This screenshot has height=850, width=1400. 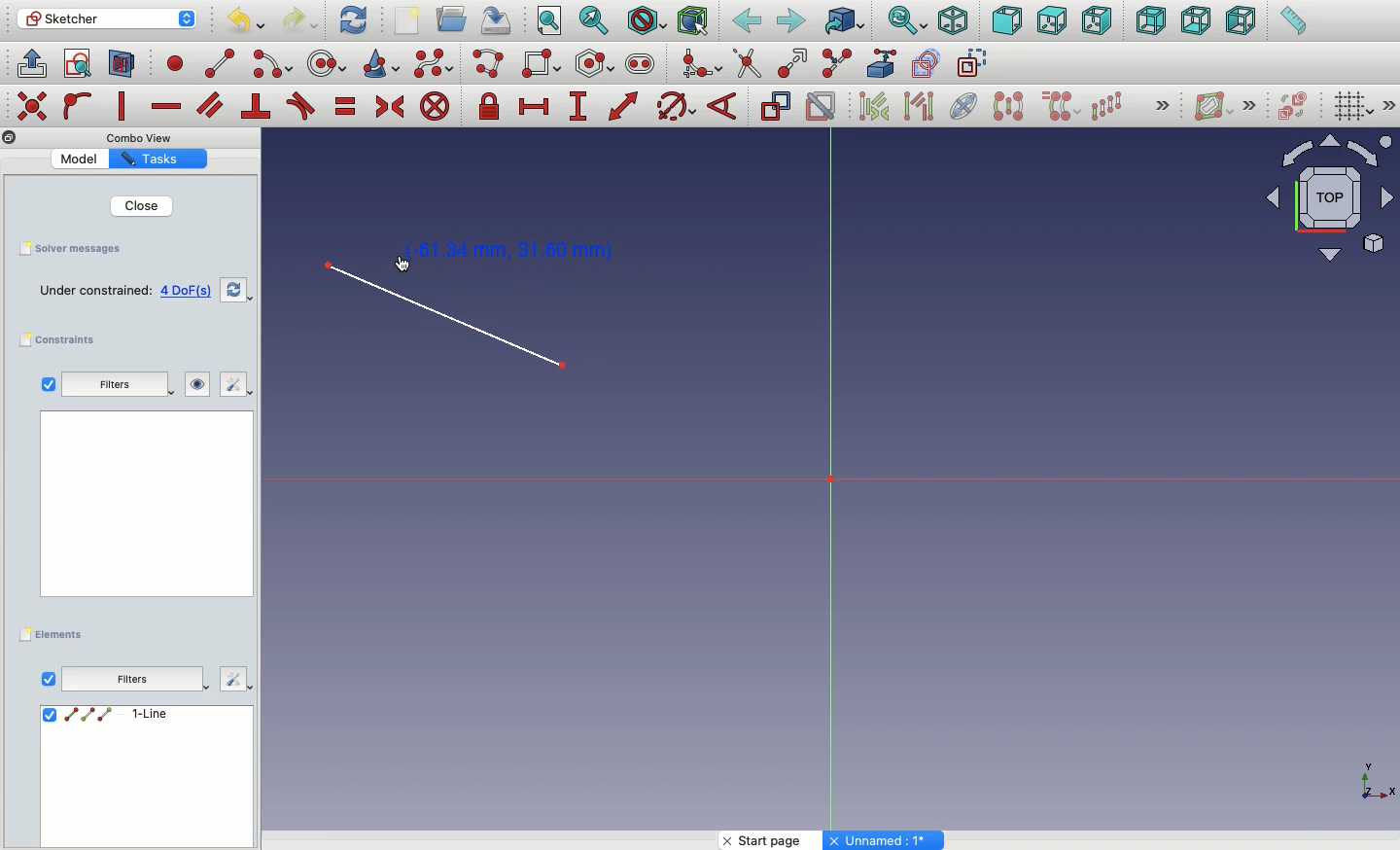 I want to click on Empty sketch, so click(x=123, y=290).